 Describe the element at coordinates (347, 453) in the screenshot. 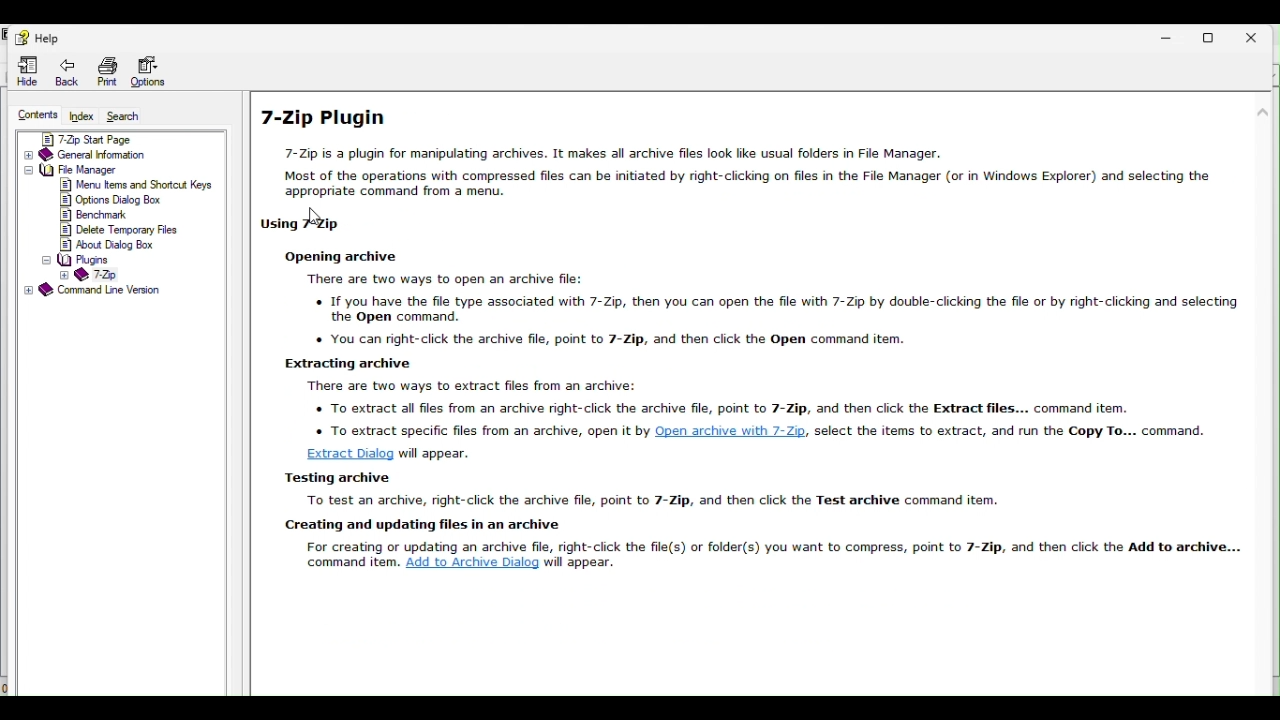

I see `Extract Dialog` at that location.